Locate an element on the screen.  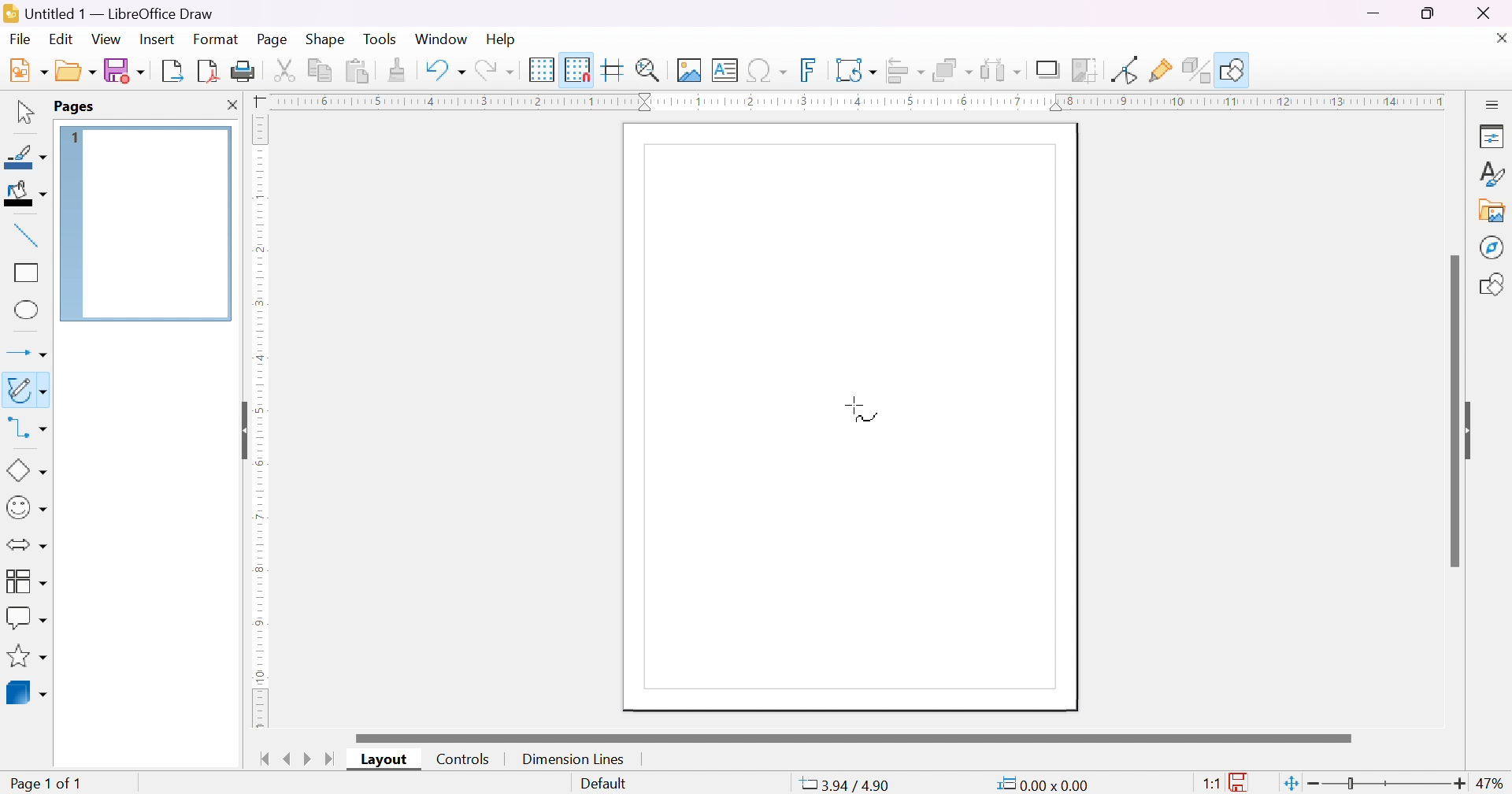
window is located at coordinates (440, 39).